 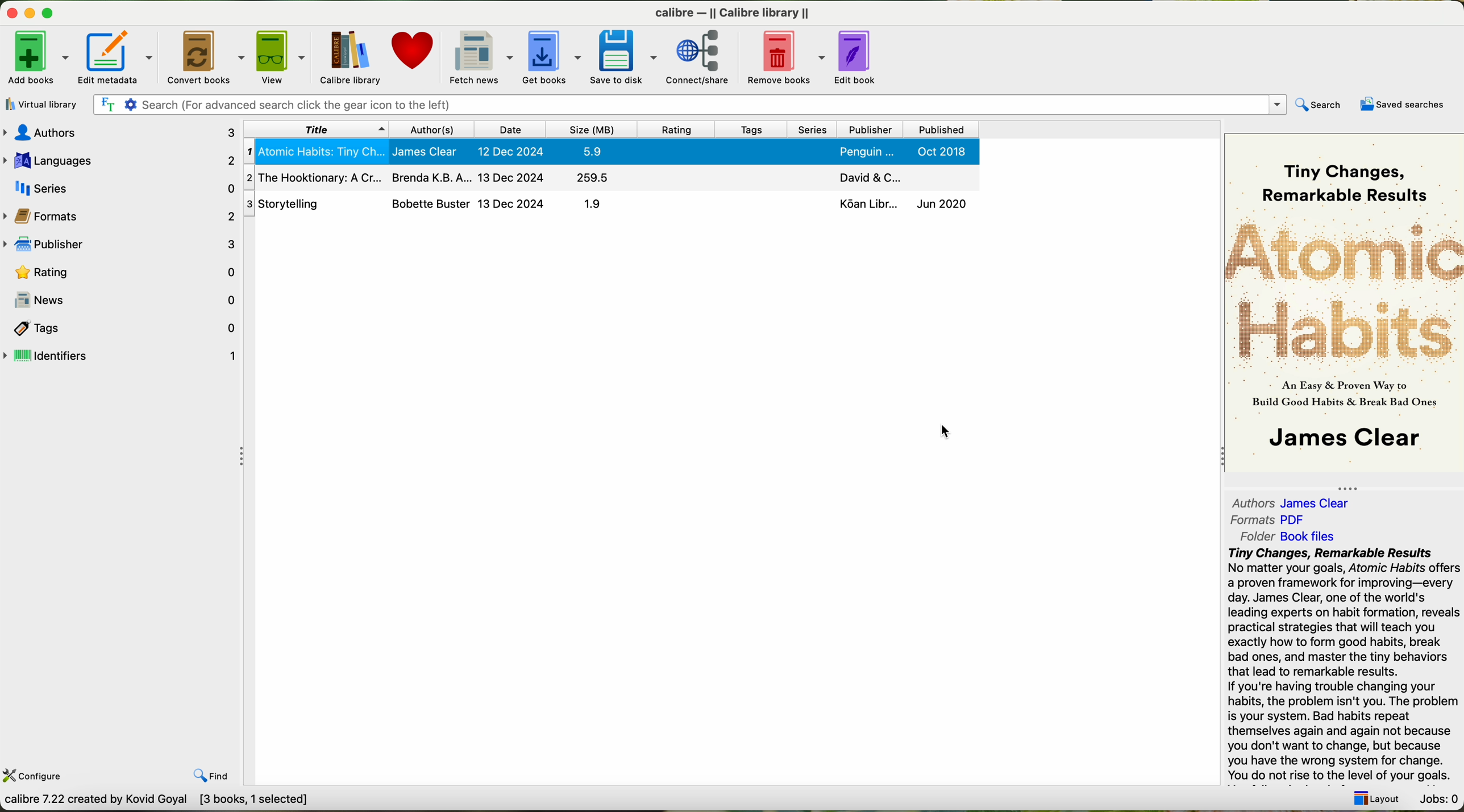 I want to click on rating, so click(x=122, y=272).